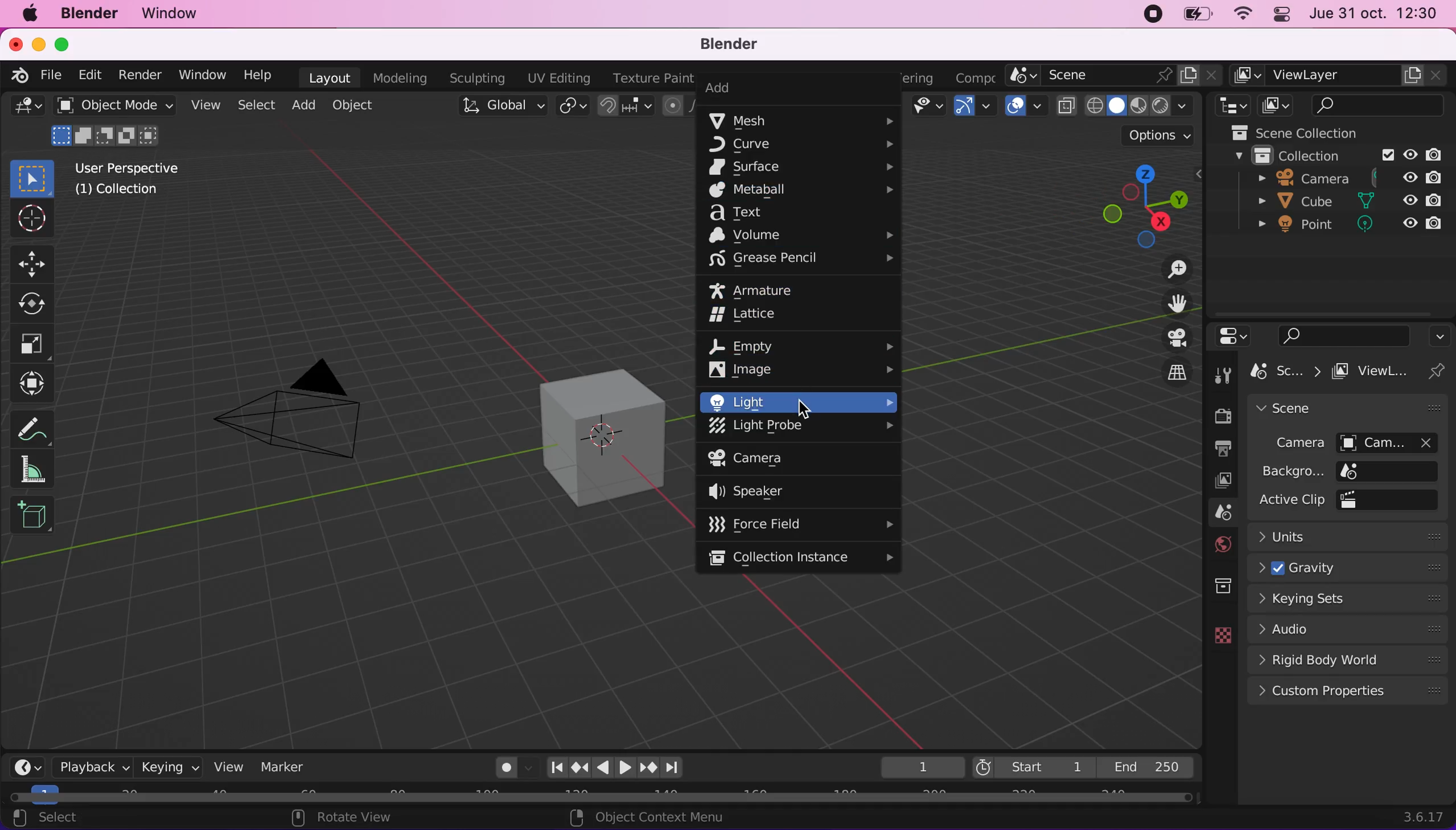 This screenshot has height=830, width=1456. Describe the element at coordinates (1115, 75) in the screenshot. I see `scene` at that location.